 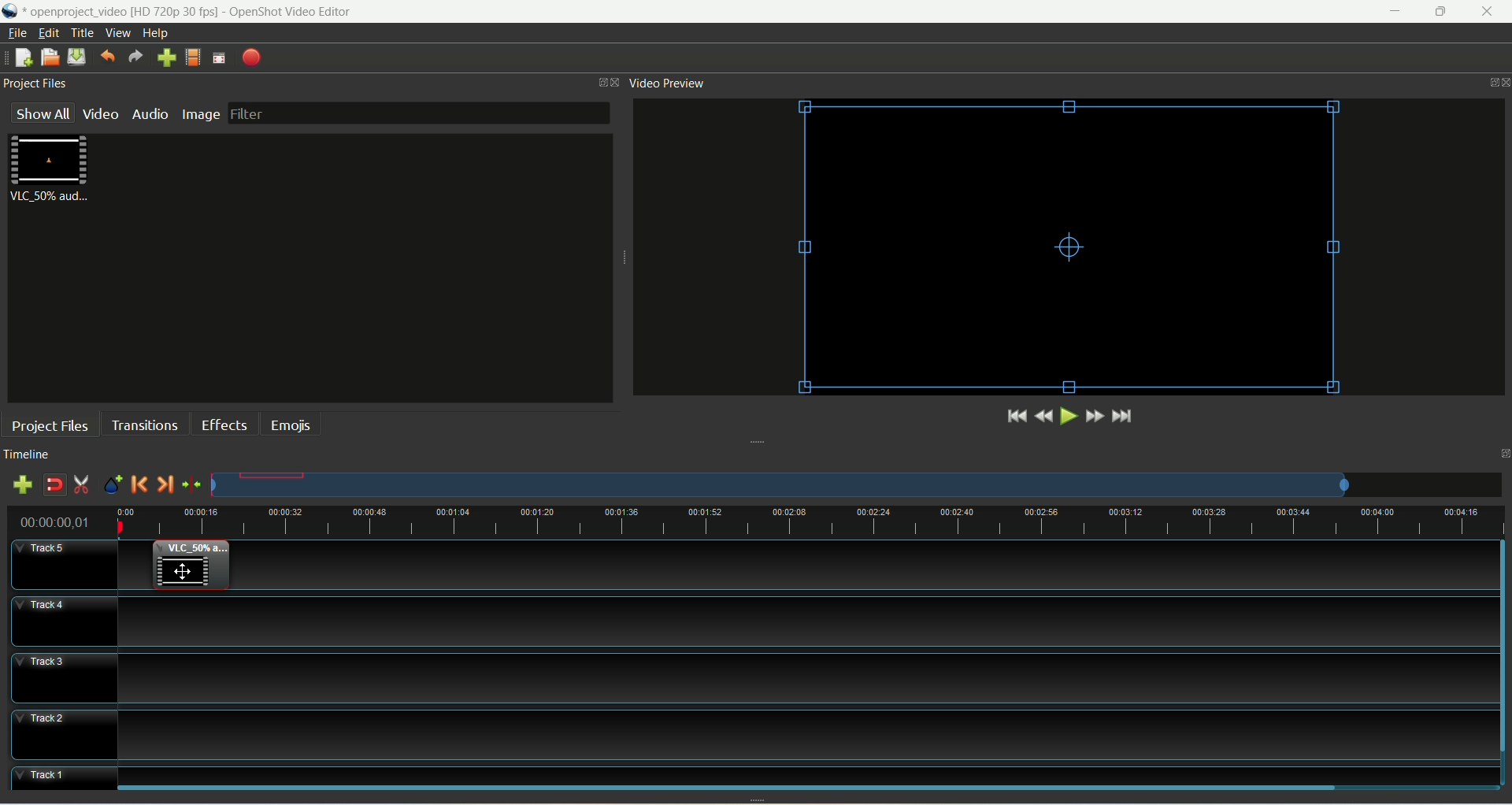 I want to click on project files, so click(x=40, y=83).